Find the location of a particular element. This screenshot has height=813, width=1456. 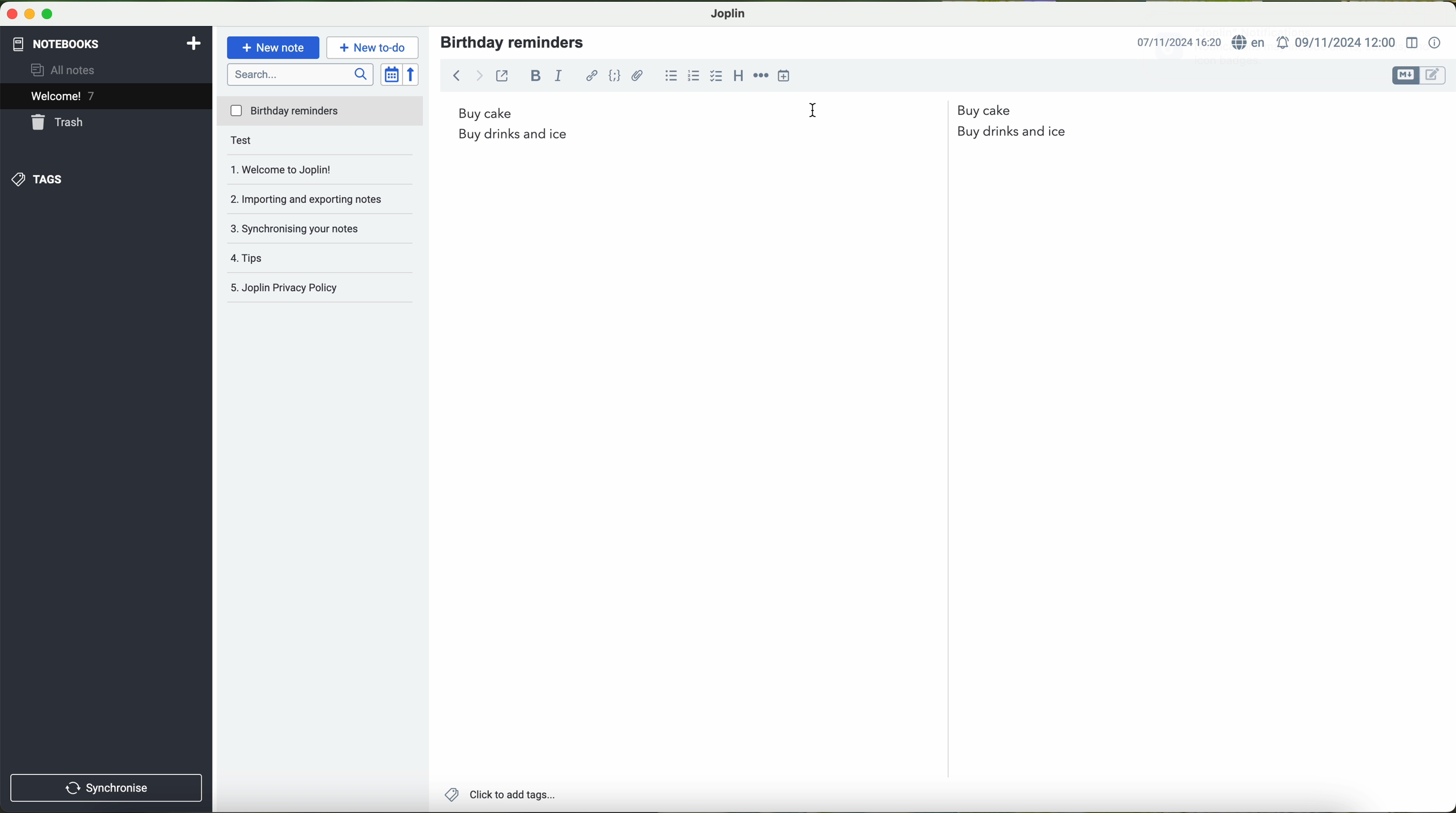

insert time is located at coordinates (782, 76).